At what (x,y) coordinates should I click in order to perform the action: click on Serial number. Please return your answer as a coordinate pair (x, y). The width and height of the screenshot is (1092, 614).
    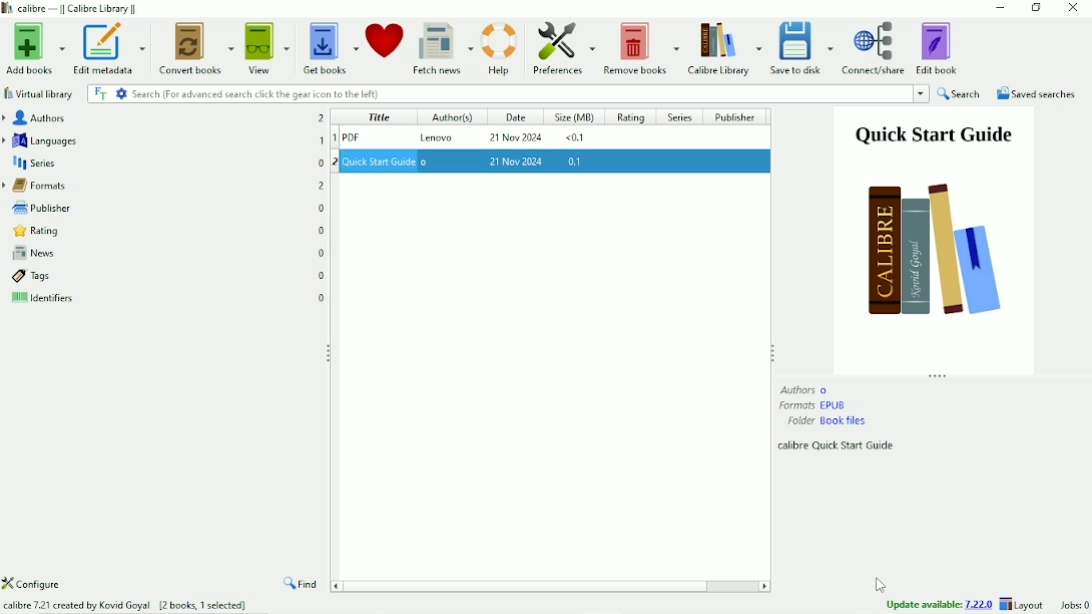
    Looking at the image, I should click on (333, 144).